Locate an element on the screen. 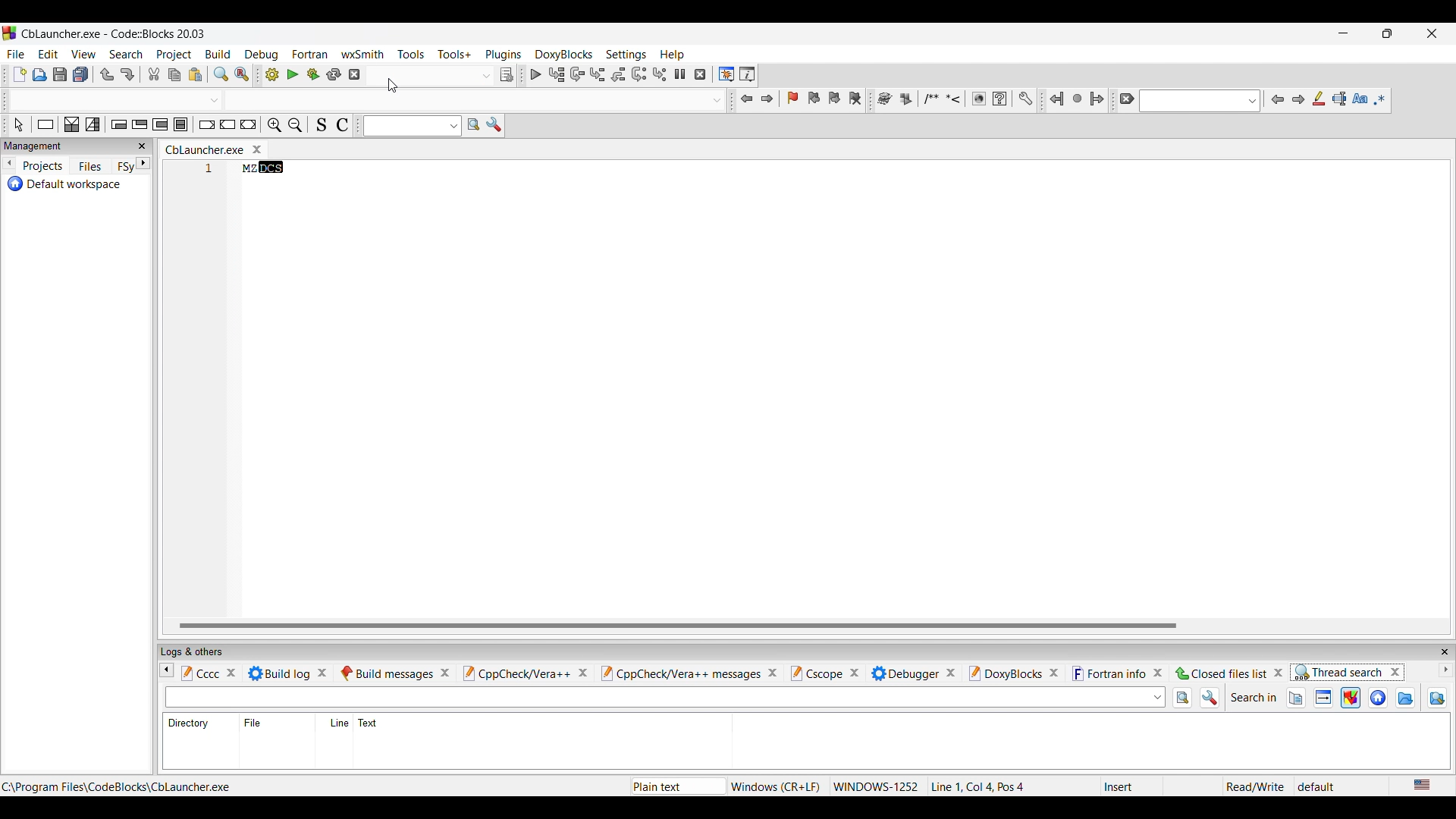  Go to previous is located at coordinates (166, 670).